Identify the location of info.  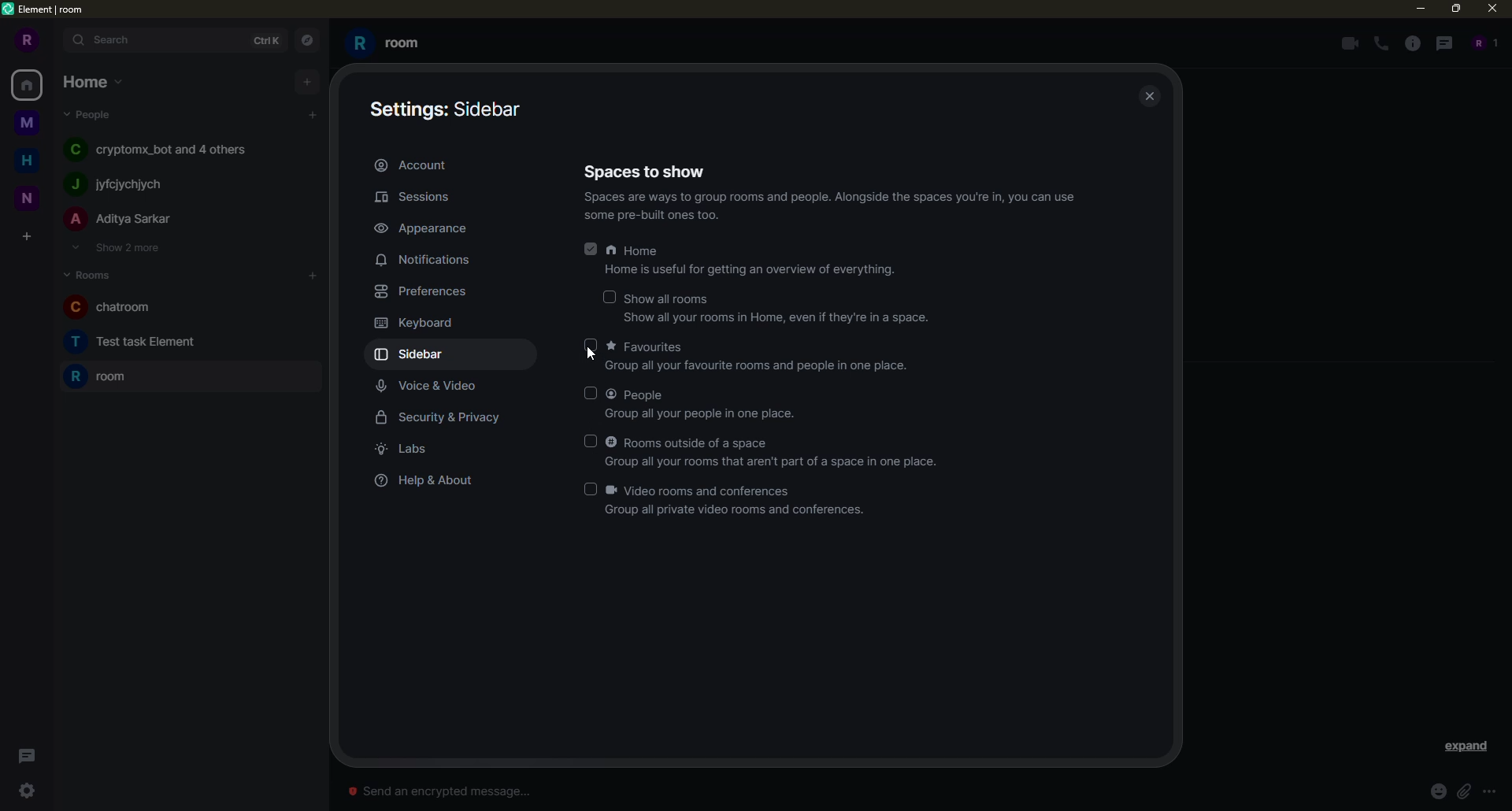
(1414, 43).